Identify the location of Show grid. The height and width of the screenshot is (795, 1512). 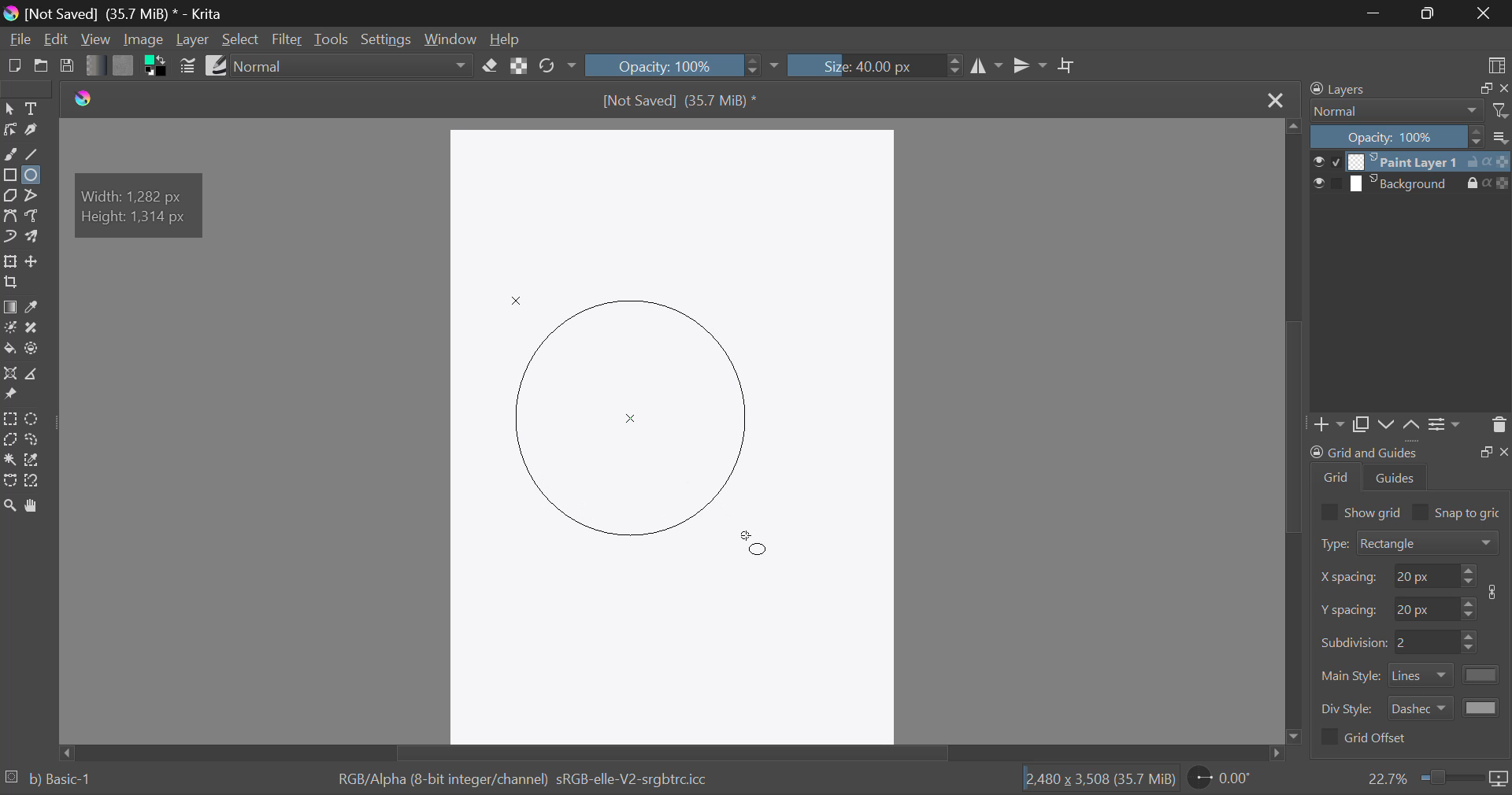
(1360, 511).